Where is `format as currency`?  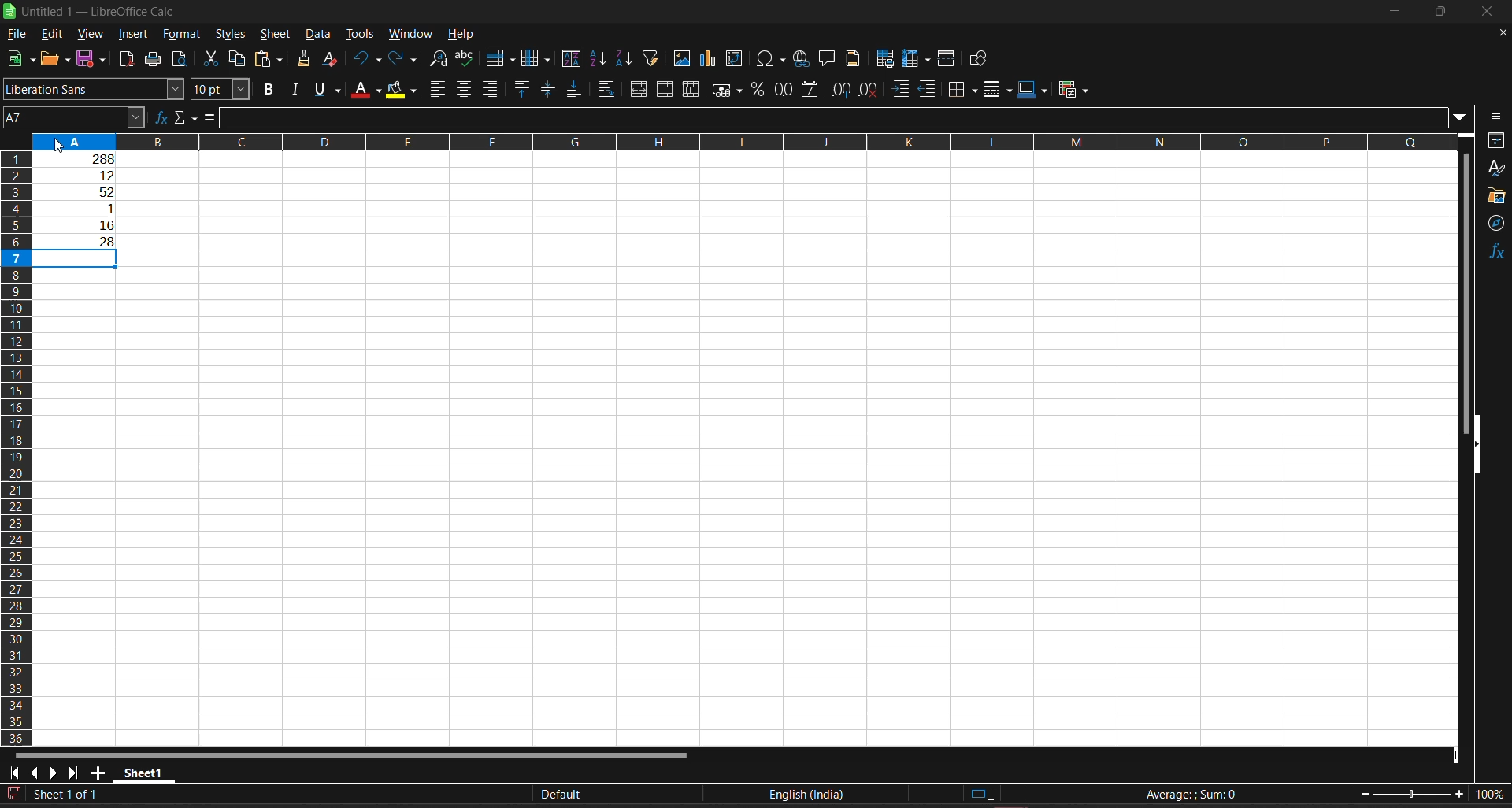 format as currency is located at coordinates (726, 87).